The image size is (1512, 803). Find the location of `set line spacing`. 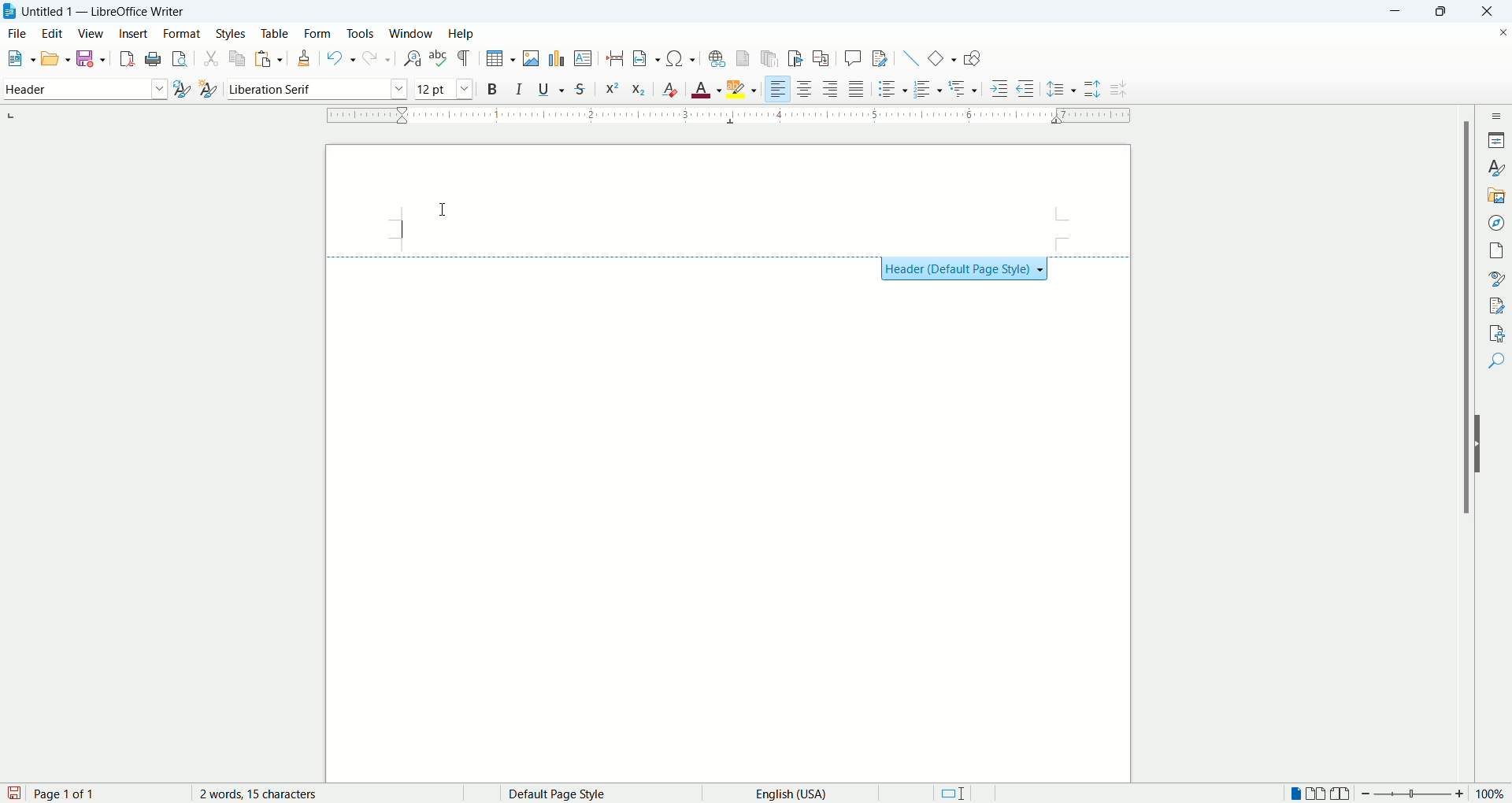

set line spacing is located at coordinates (1061, 88).